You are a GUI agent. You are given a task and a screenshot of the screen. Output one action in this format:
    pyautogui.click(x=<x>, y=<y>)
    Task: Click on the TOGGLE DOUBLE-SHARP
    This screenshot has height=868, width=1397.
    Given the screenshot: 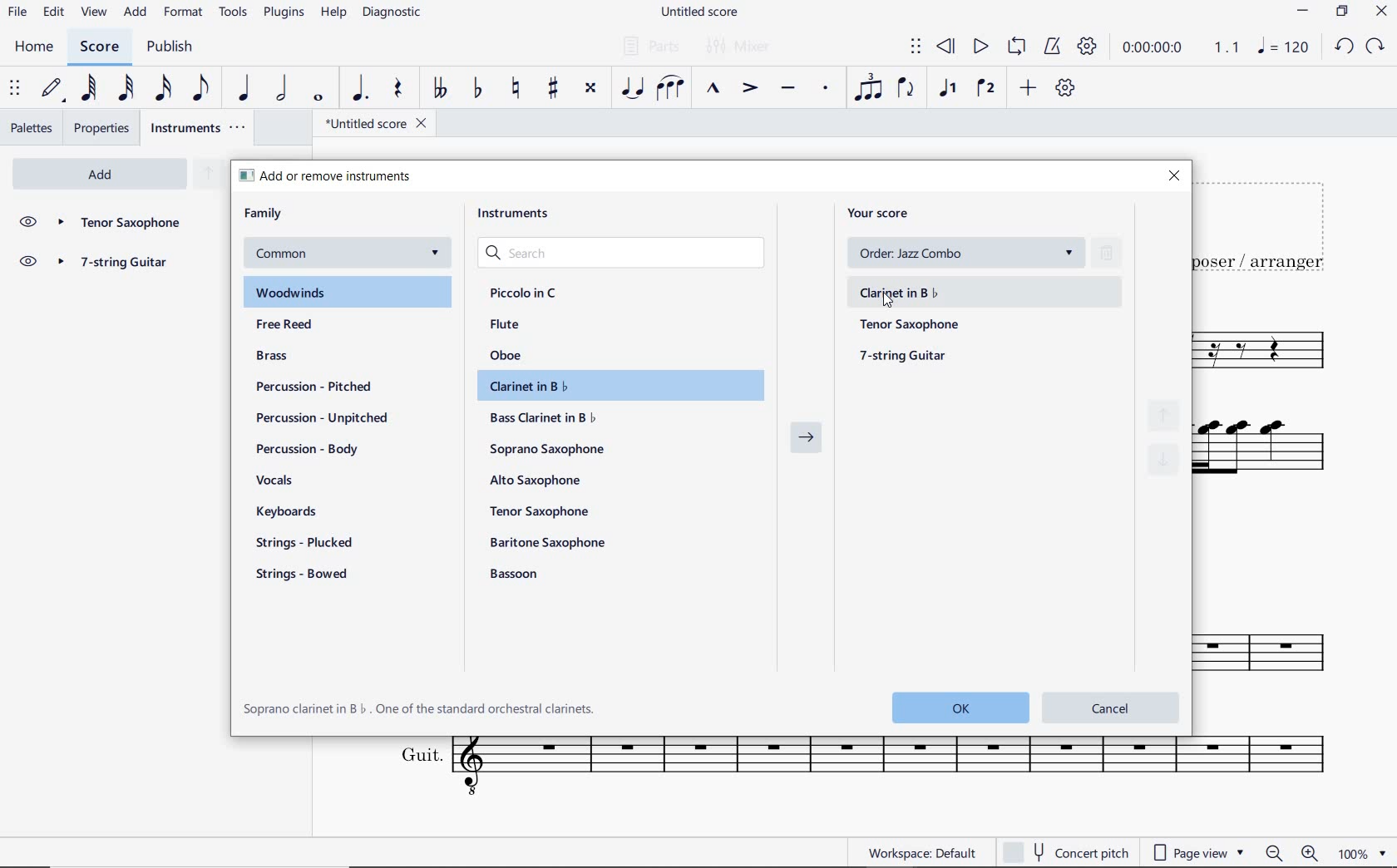 What is the action you would take?
    pyautogui.click(x=590, y=90)
    